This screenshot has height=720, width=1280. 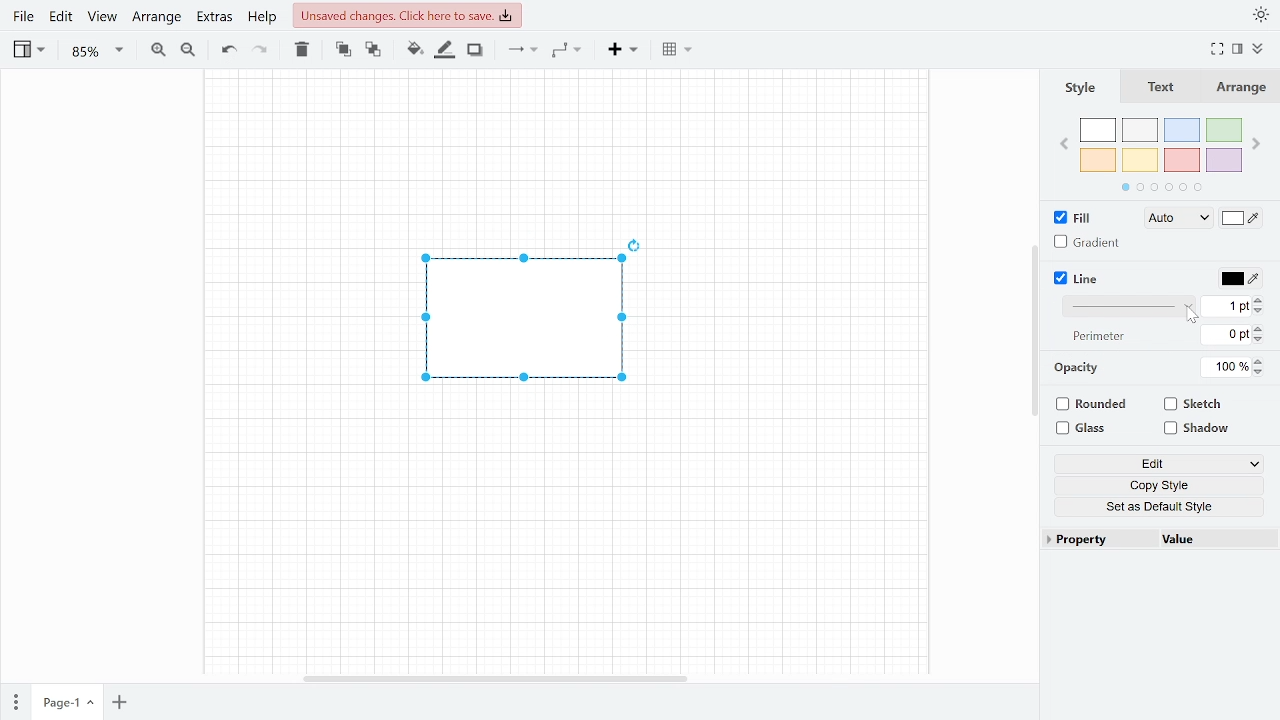 What do you see at coordinates (1262, 373) in the screenshot?
I see `Decrease opacity` at bounding box center [1262, 373].